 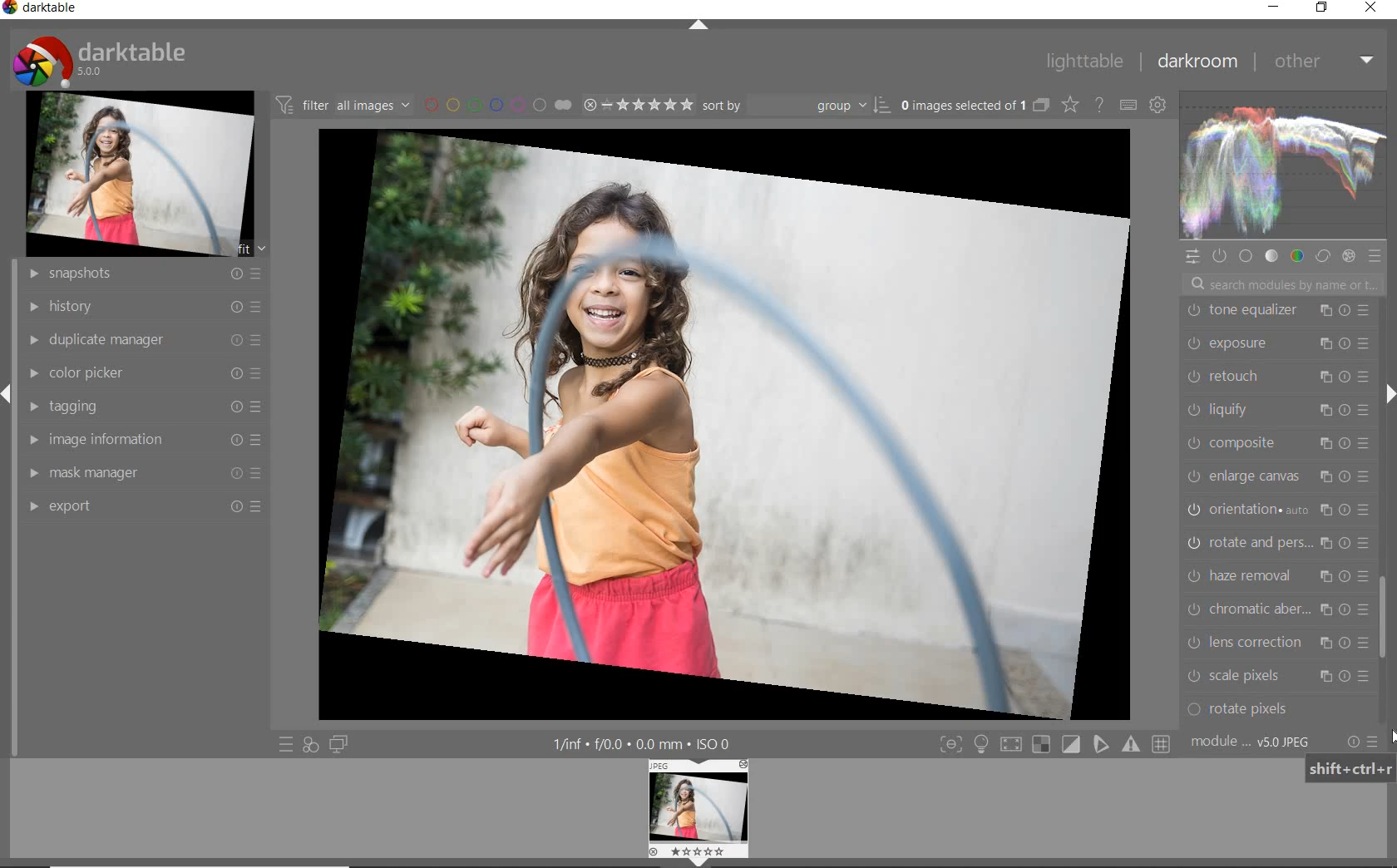 I want to click on tone equalizer, so click(x=1279, y=313).